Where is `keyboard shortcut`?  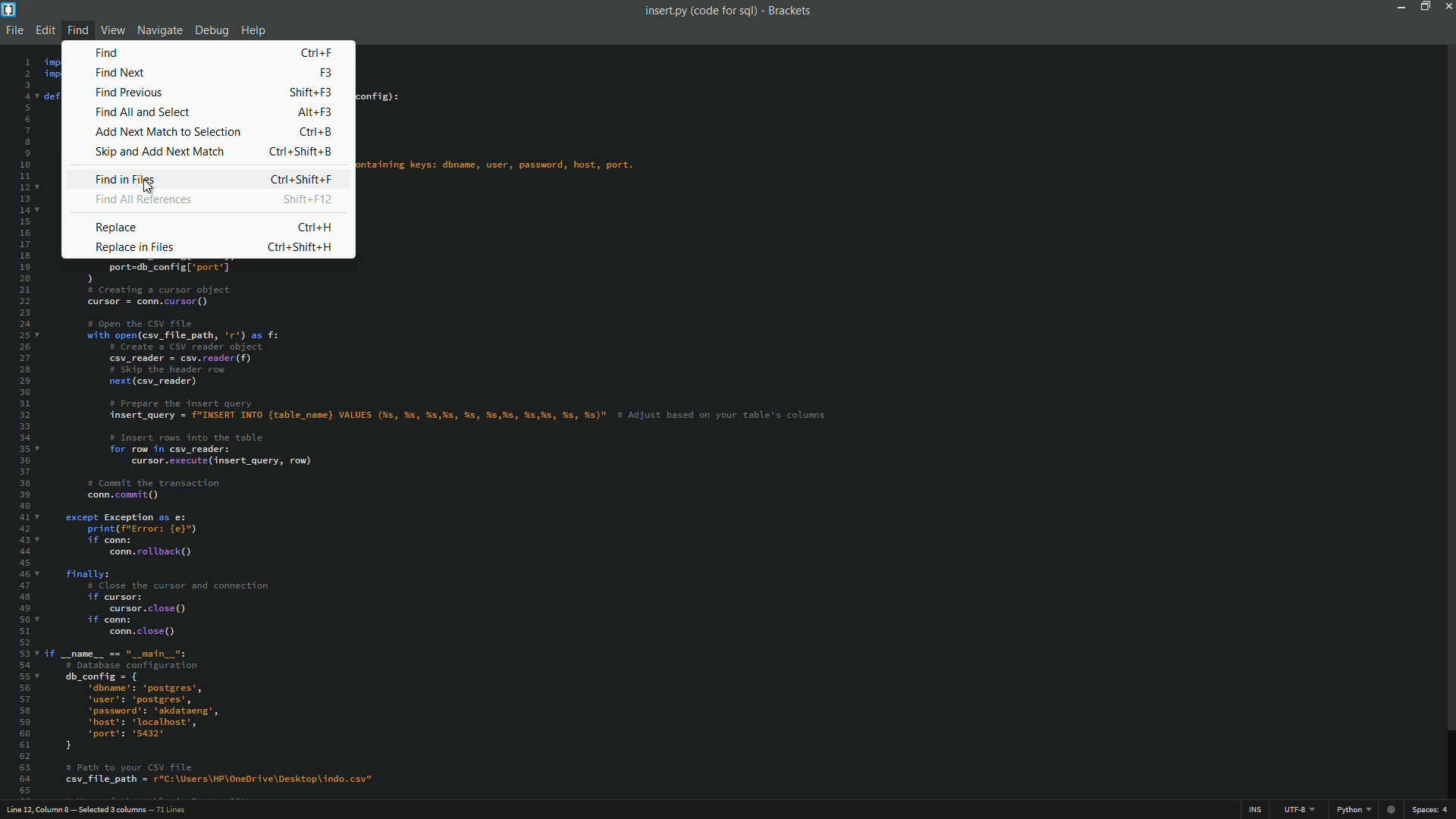 keyboard shortcut is located at coordinates (318, 52).